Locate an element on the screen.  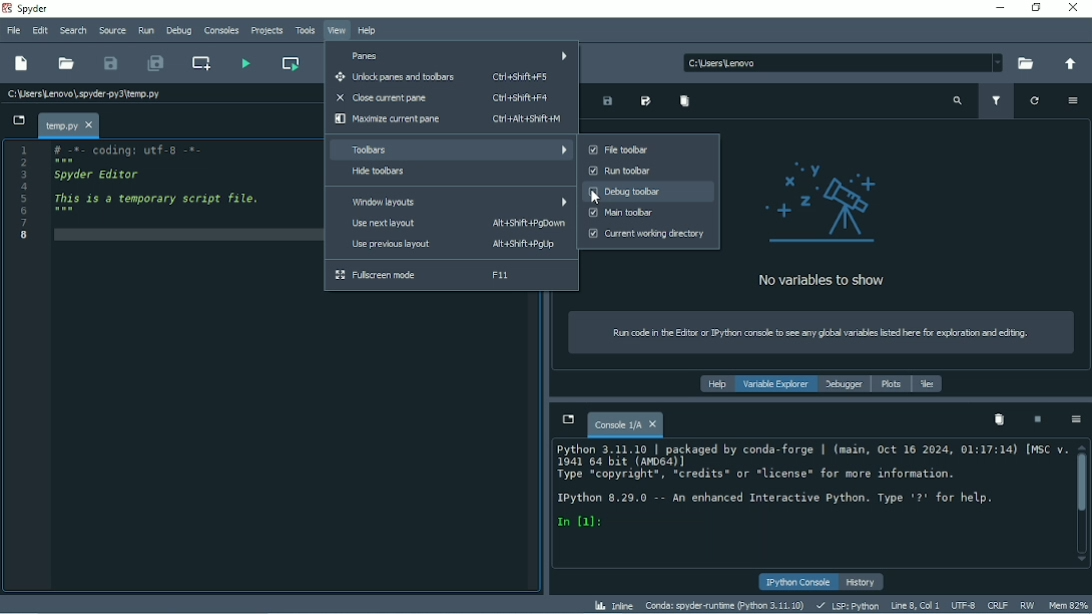
Hide toolbars is located at coordinates (449, 172).